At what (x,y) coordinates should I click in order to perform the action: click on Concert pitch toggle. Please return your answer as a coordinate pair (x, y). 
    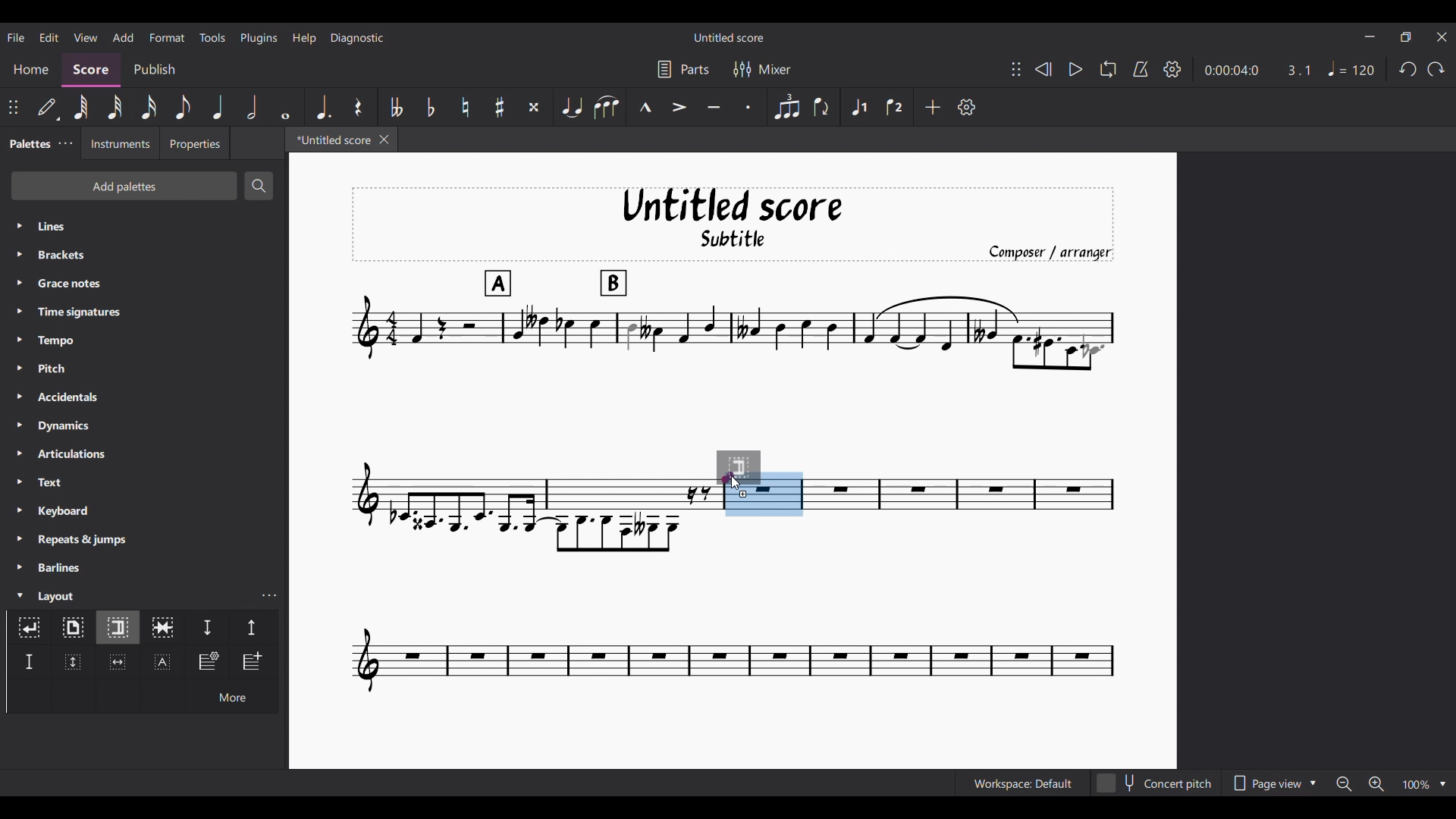
    Looking at the image, I should click on (1155, 783).